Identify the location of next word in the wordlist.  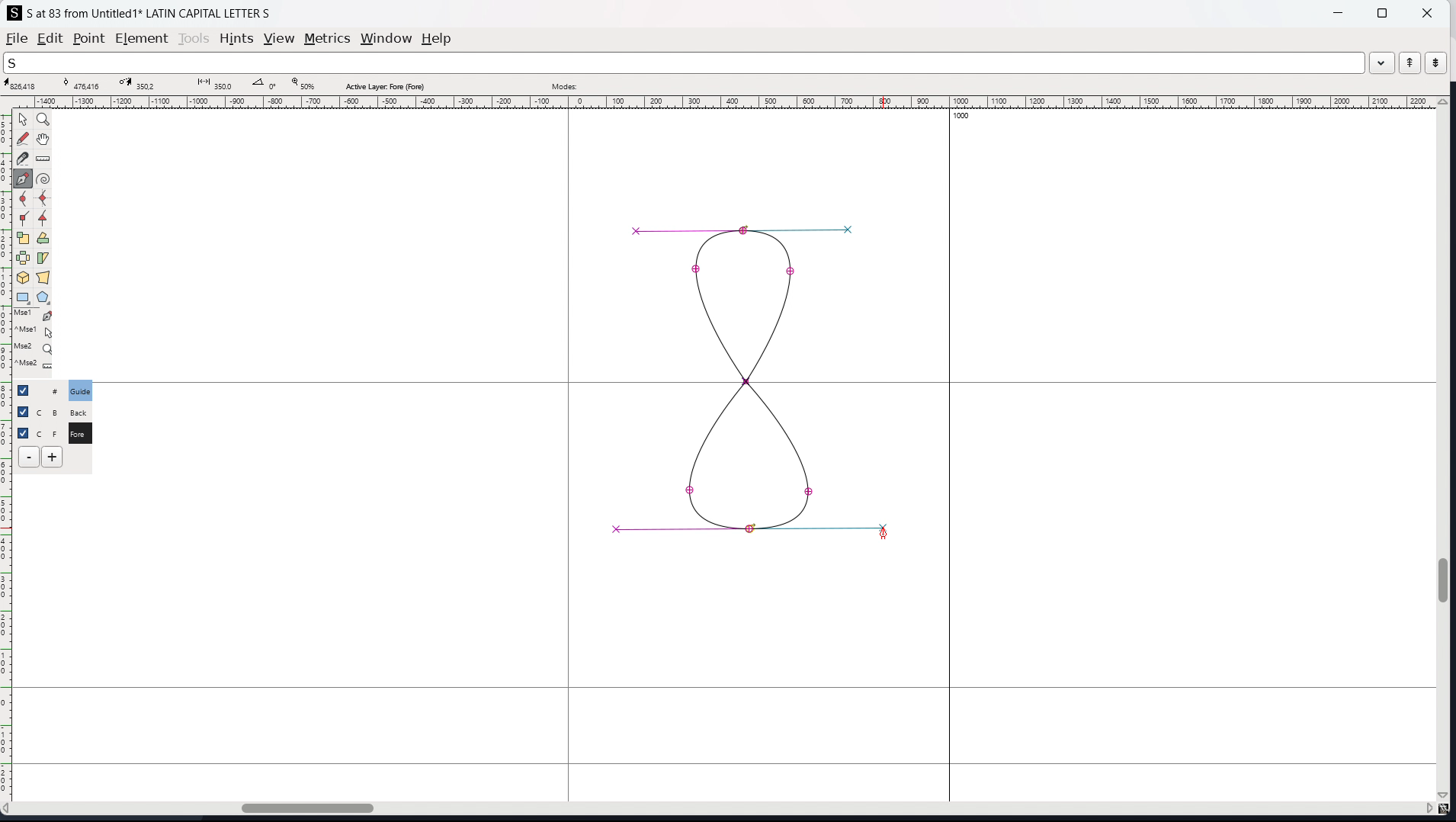
(1435, 62).